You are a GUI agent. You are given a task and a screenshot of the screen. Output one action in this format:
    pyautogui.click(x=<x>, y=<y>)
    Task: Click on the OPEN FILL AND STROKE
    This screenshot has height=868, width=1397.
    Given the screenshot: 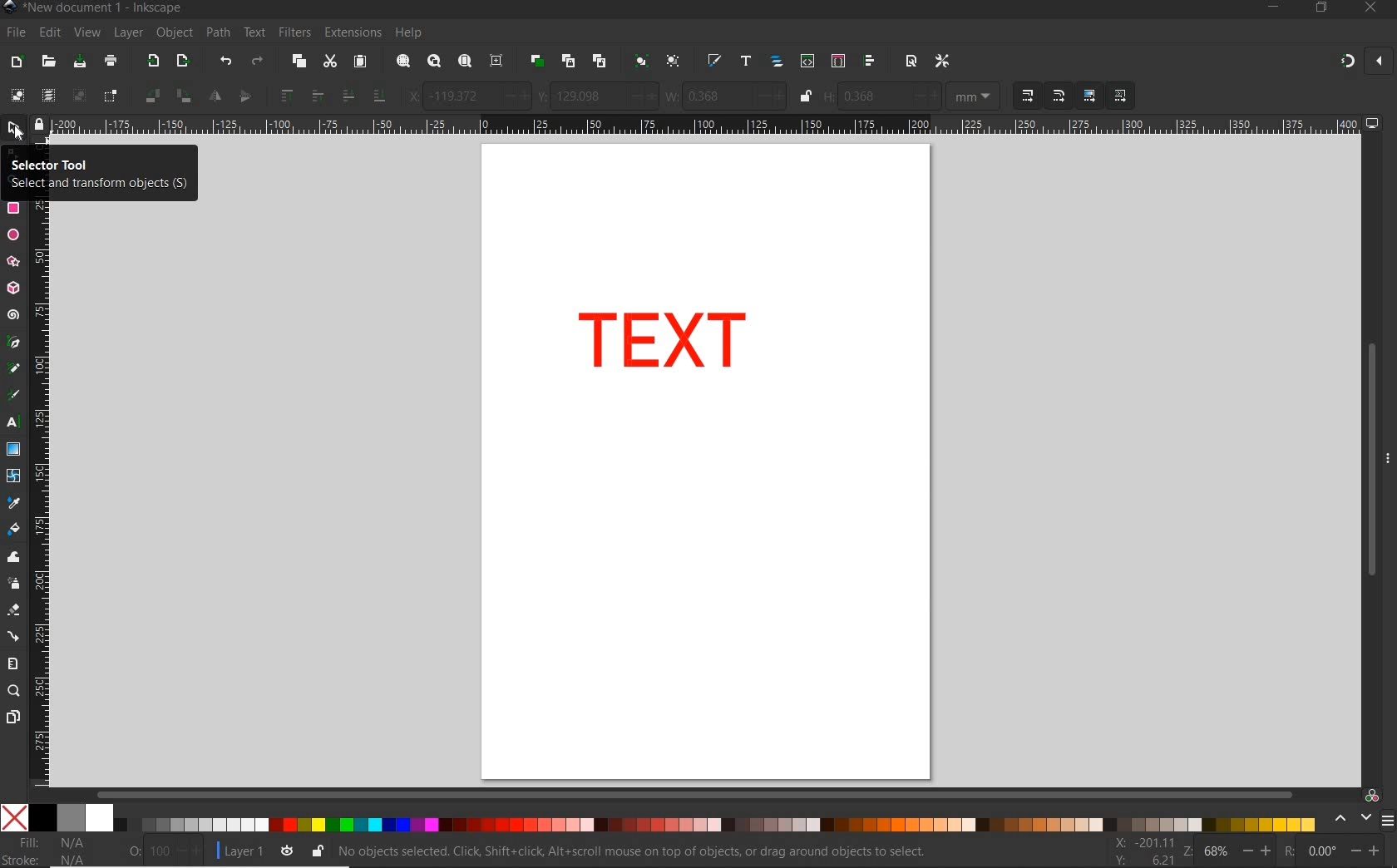 What is the action you would take?
    pyautogui.click(x=713, y=62)
    